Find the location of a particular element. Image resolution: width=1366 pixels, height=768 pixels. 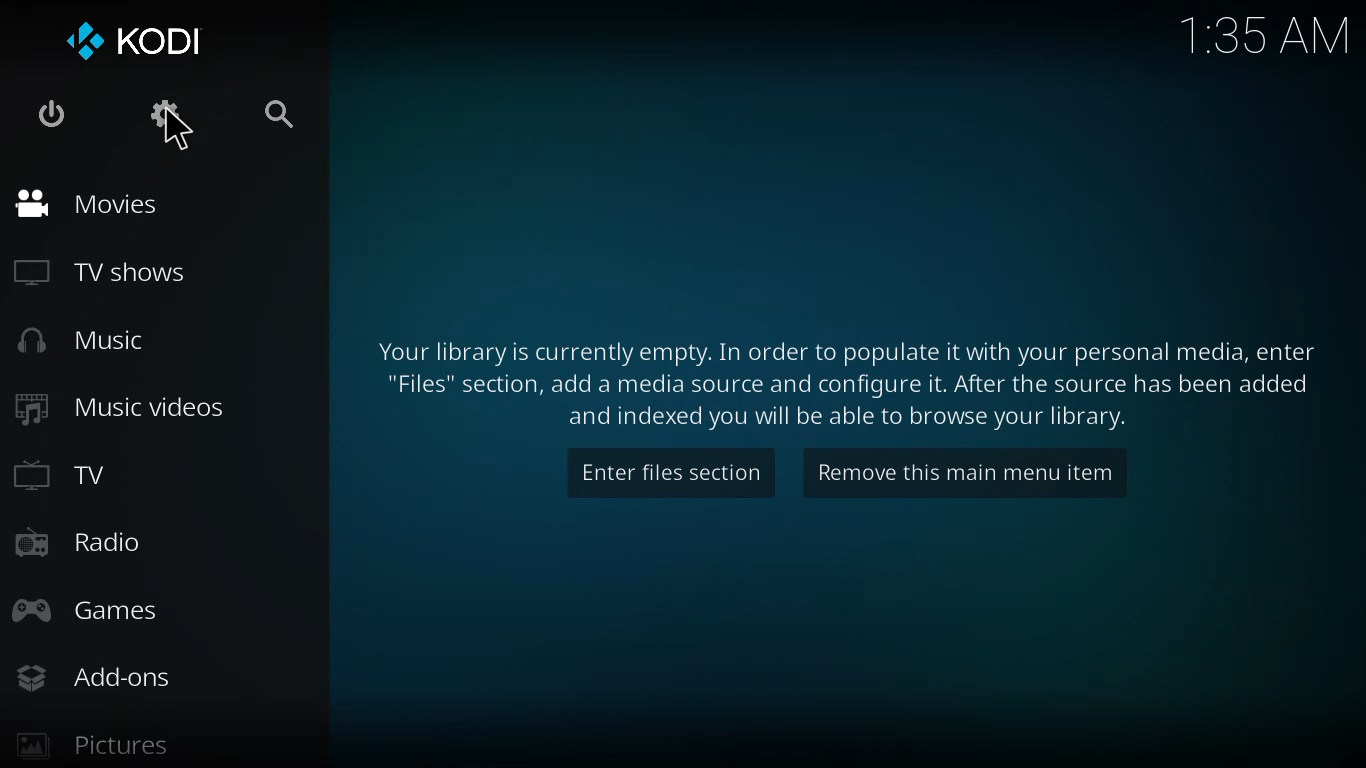

time is located at coordinates (1264, 33).